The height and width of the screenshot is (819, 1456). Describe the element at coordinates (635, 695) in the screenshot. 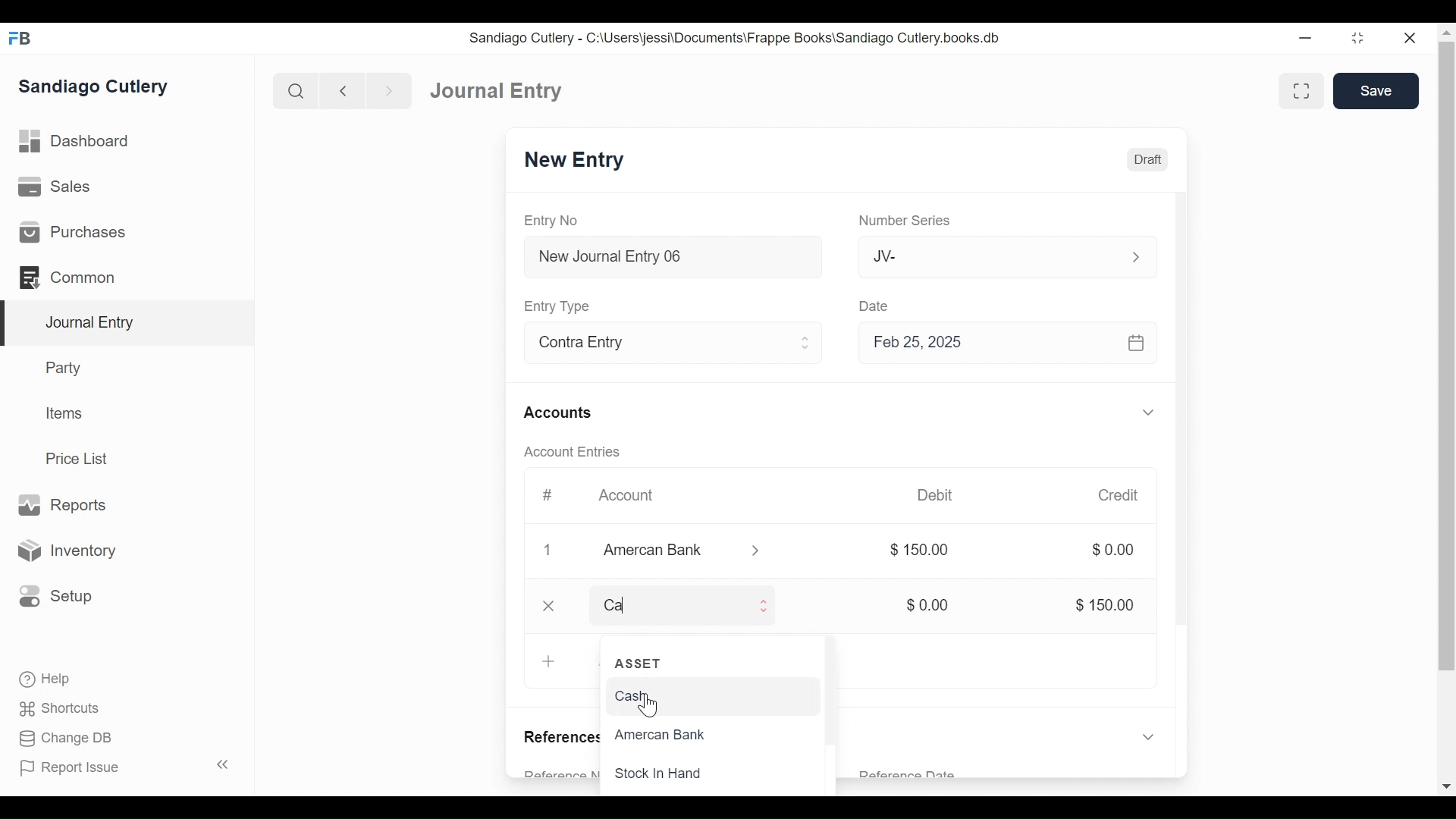

I see `Cash` at that location.